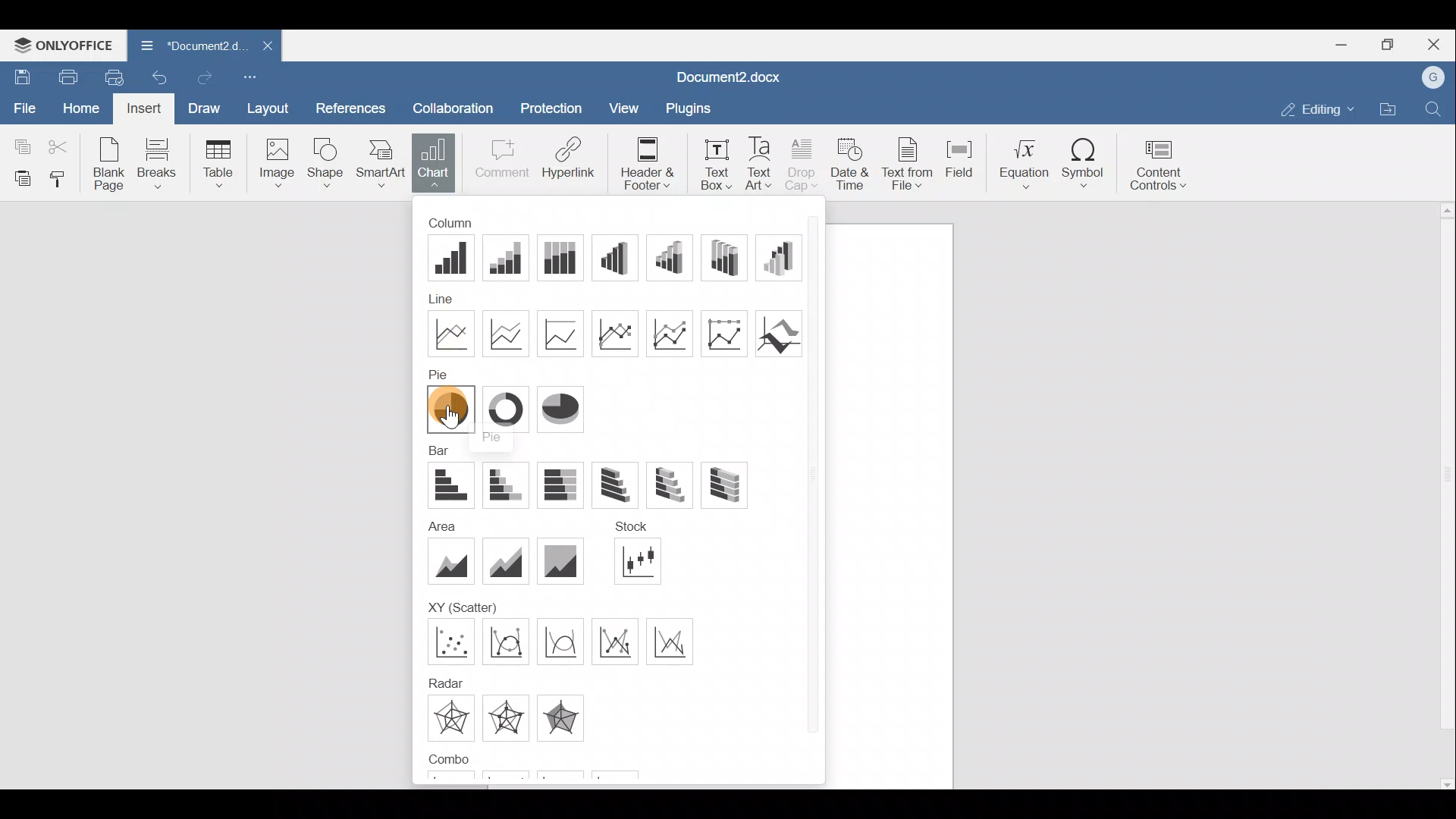 Image resolution: width=1456 pixels, height=819 pixels. Describe the element at coordinates (452, 482) in the screenshot. I see `Clustered bar` at that location.